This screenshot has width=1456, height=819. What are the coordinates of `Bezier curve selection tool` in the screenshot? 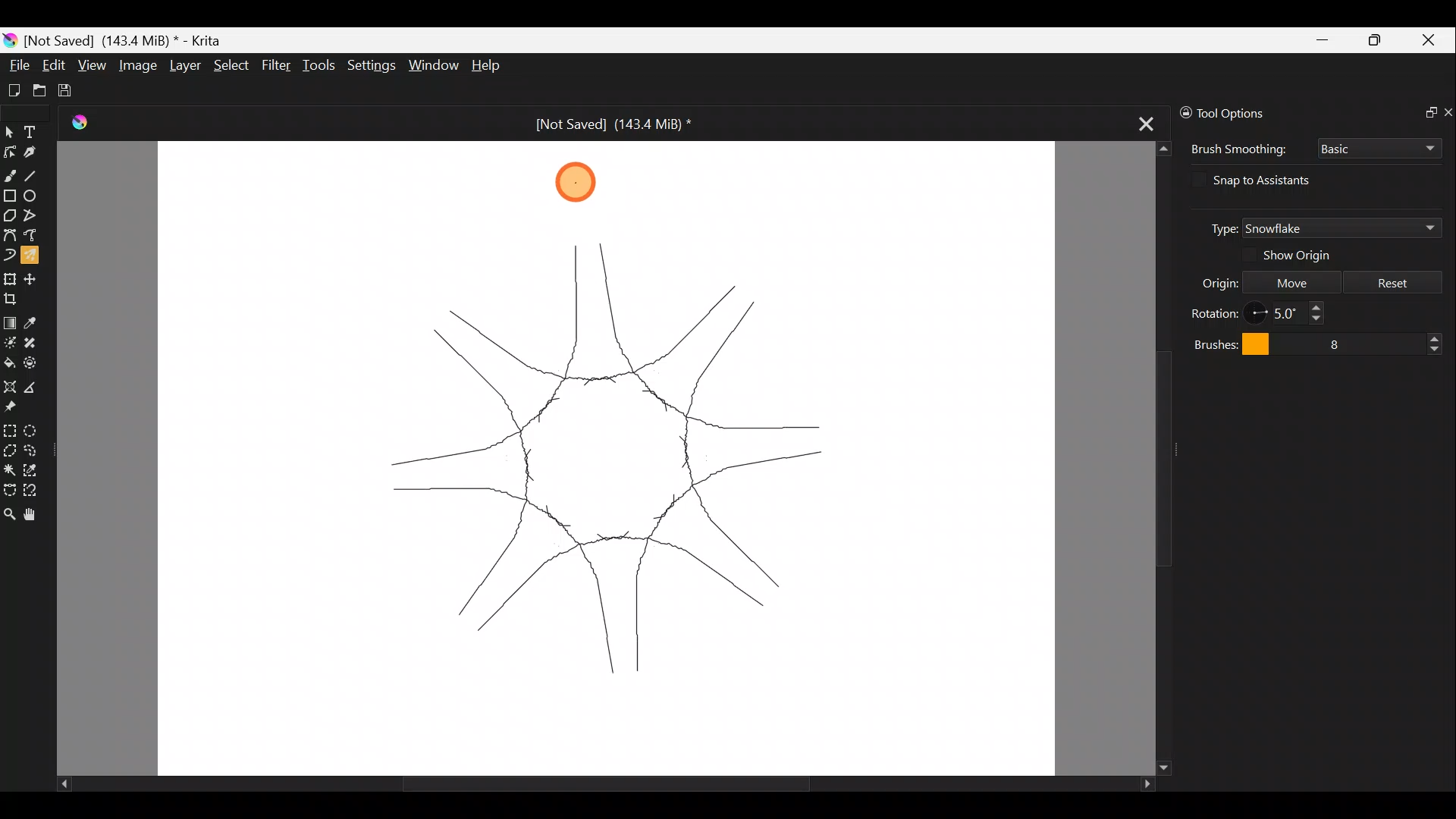 It's located at (9, 490).